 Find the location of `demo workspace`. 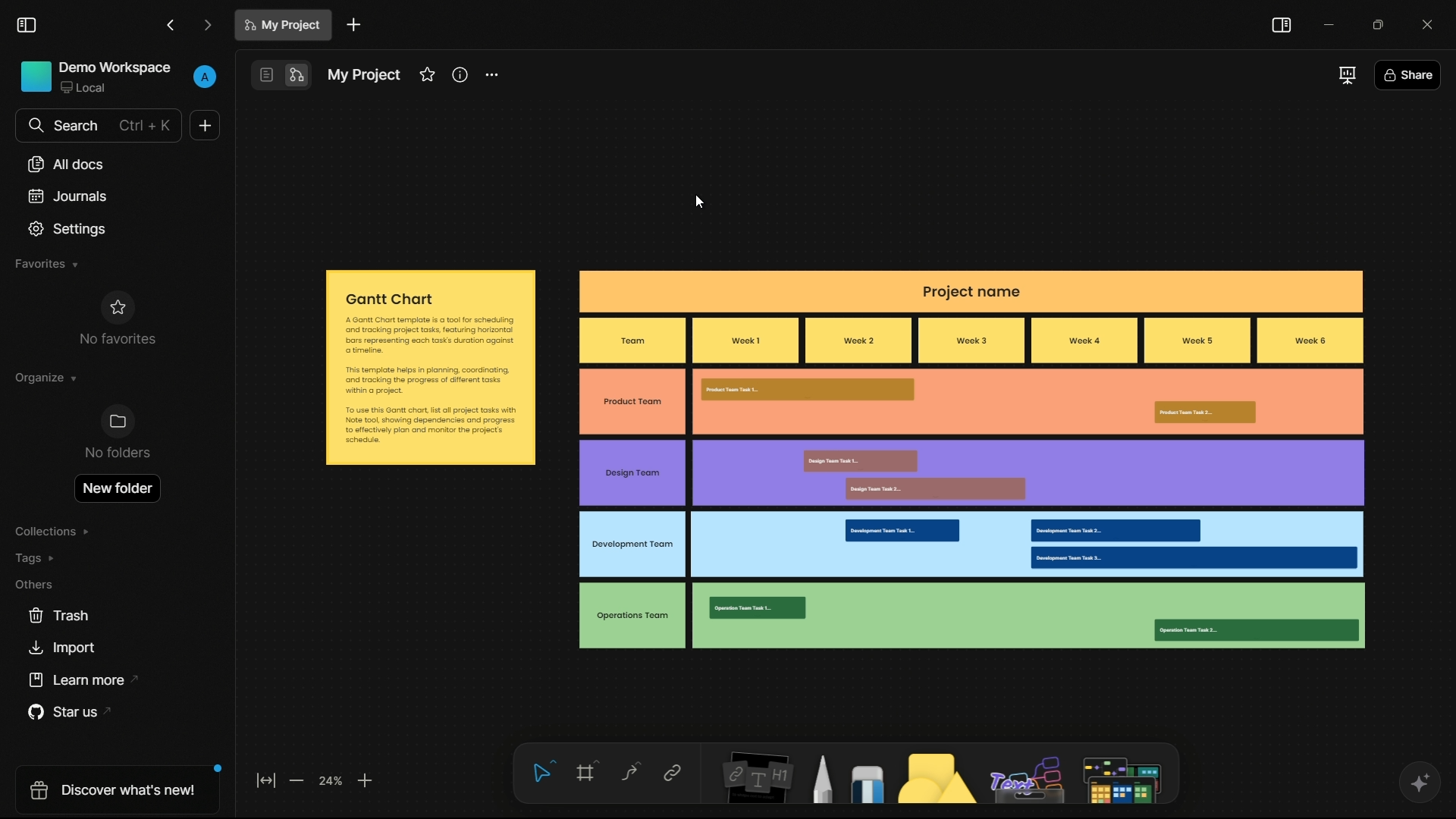

demo workspace is located at coordinates (96, 78).